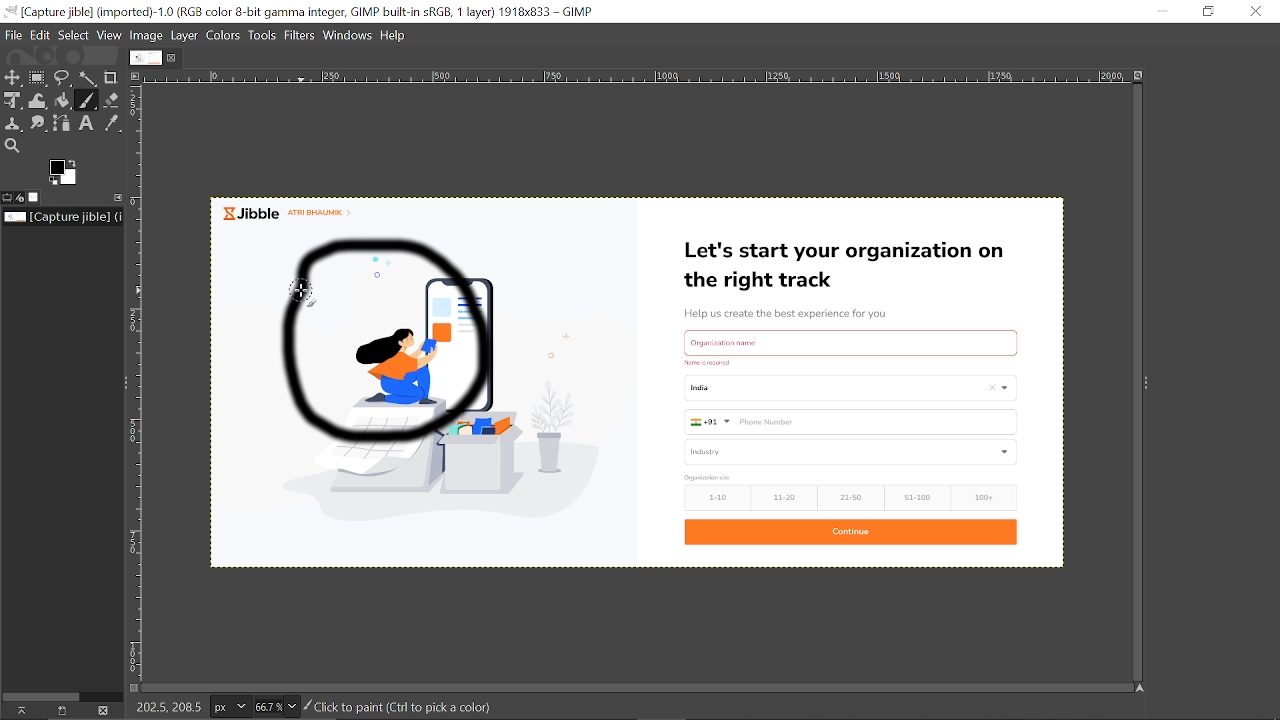  What do you see at coordinates (300, 12) in the screenshot?
I see `Current window` at bounding box center [300, 12].